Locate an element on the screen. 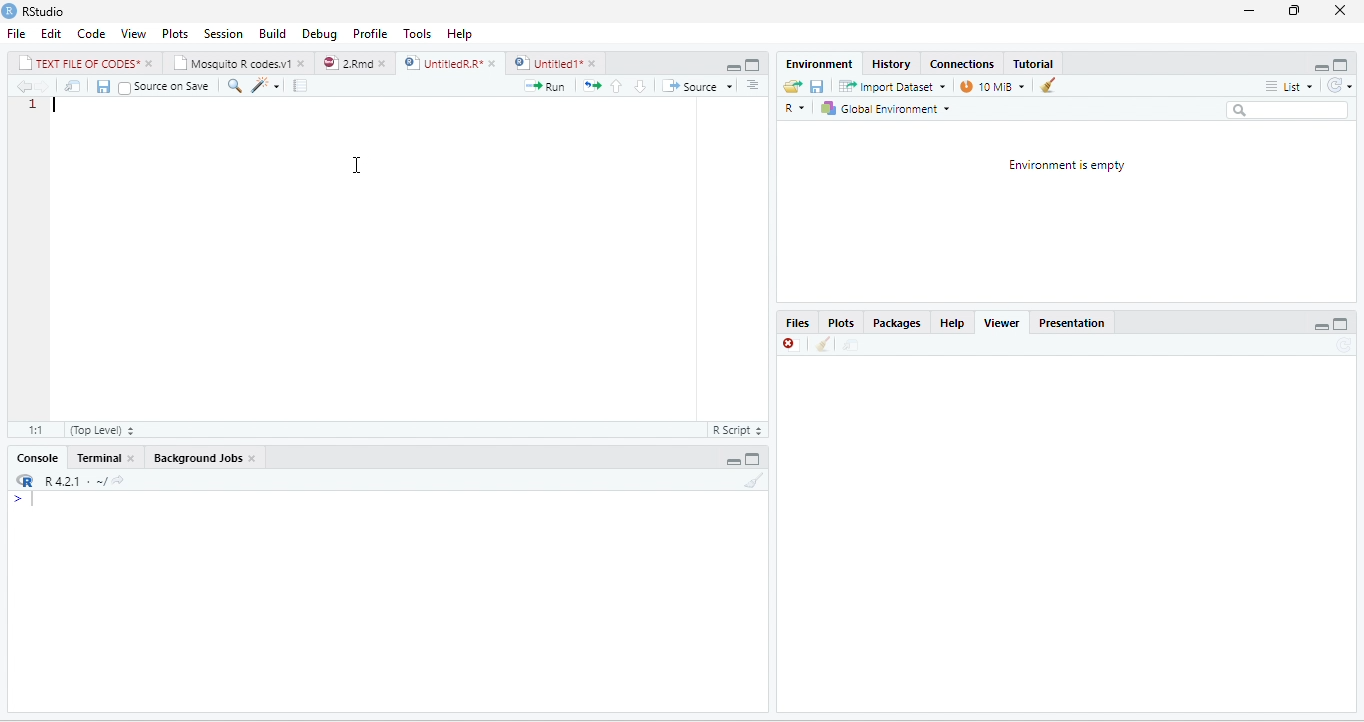 This screenshot has width=1364, height=722. View is located at coordinates (134, 32).